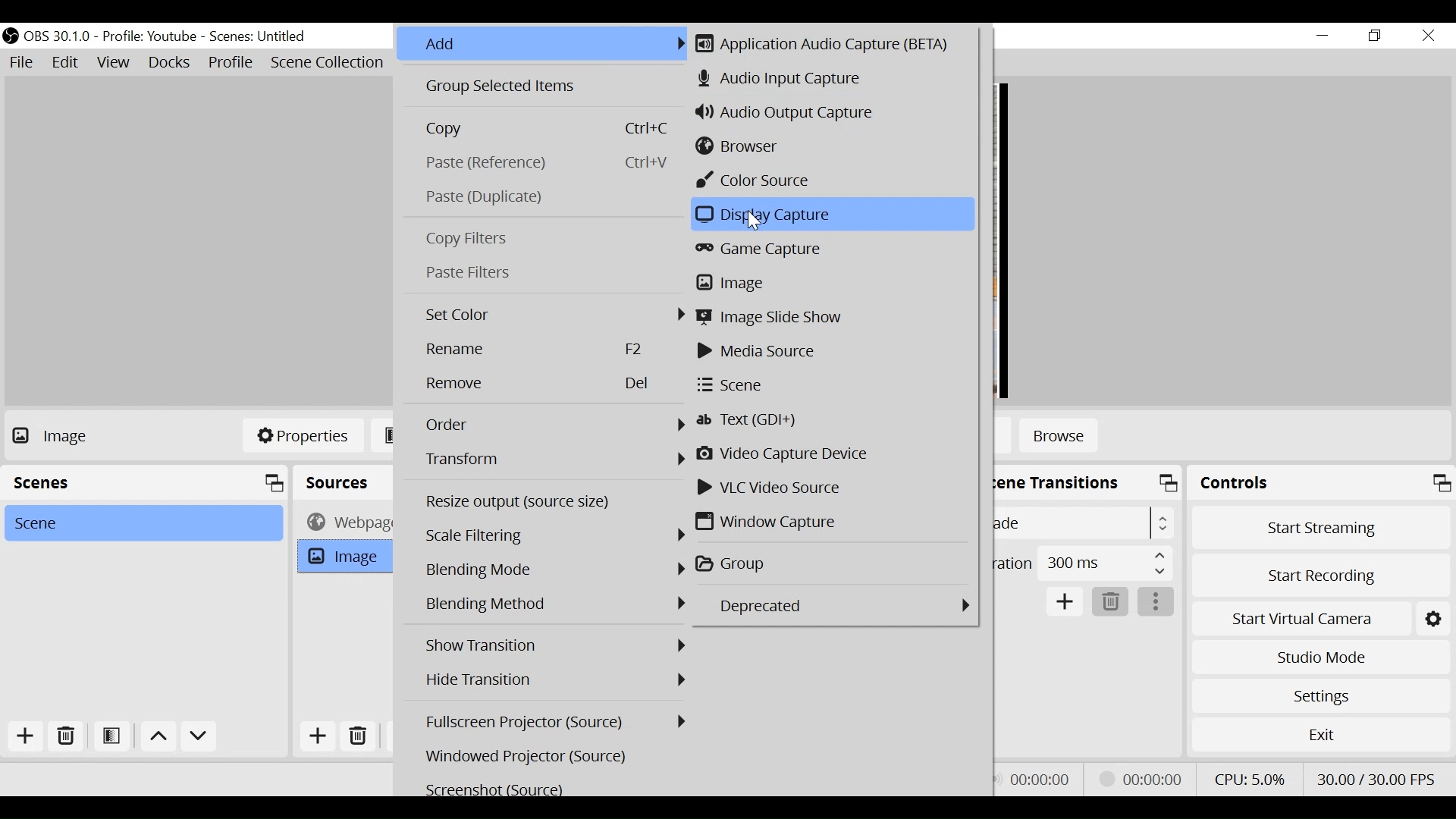  Describe the element at coordinates (259, 37) in the screenshot. I see `Scenes` at that location.